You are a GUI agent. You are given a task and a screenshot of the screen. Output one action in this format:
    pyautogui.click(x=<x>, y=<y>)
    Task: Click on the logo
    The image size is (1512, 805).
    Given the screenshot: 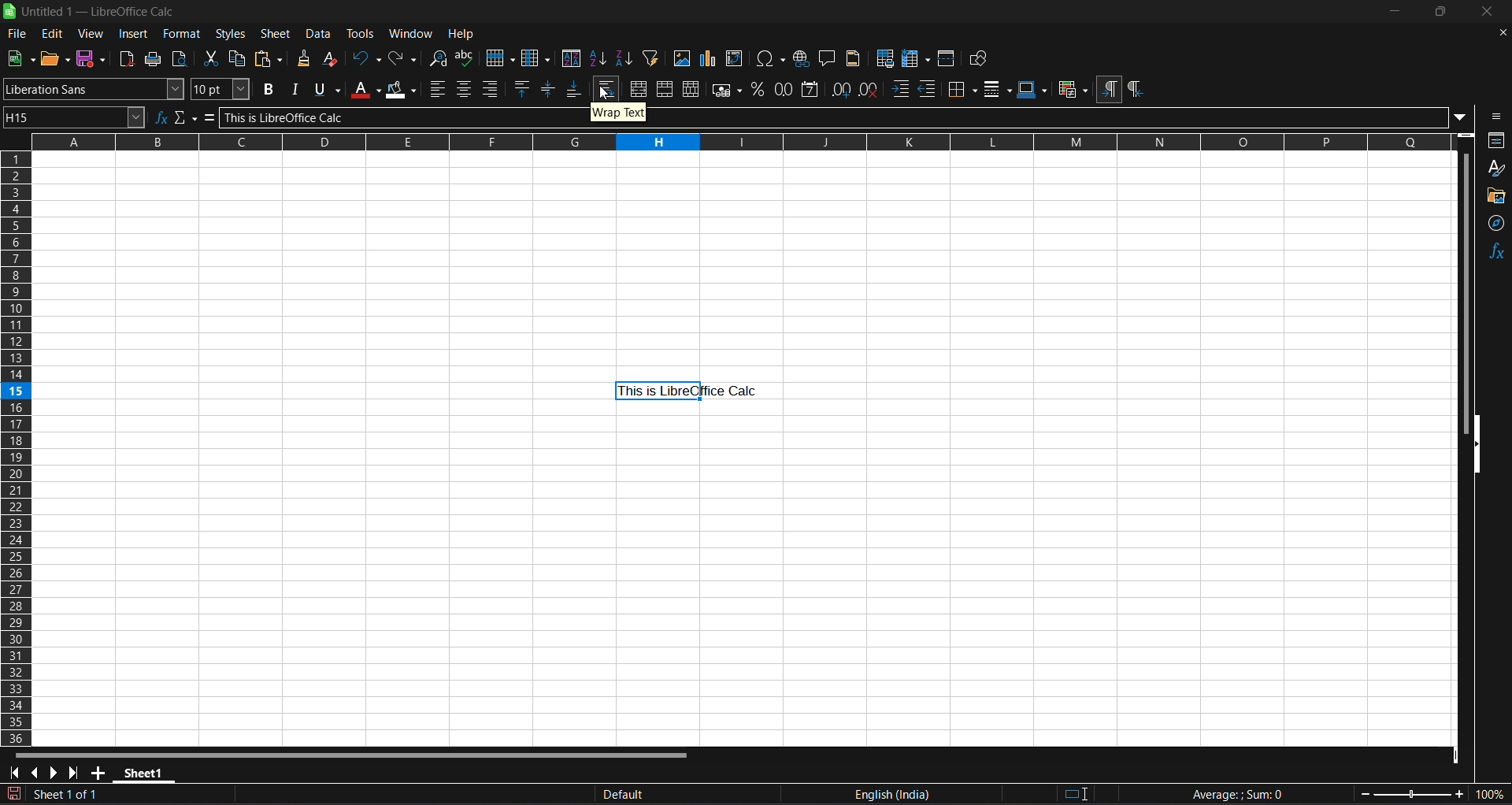 What is the action you would take?
    pyautogui.click(x=9, y=11)
    